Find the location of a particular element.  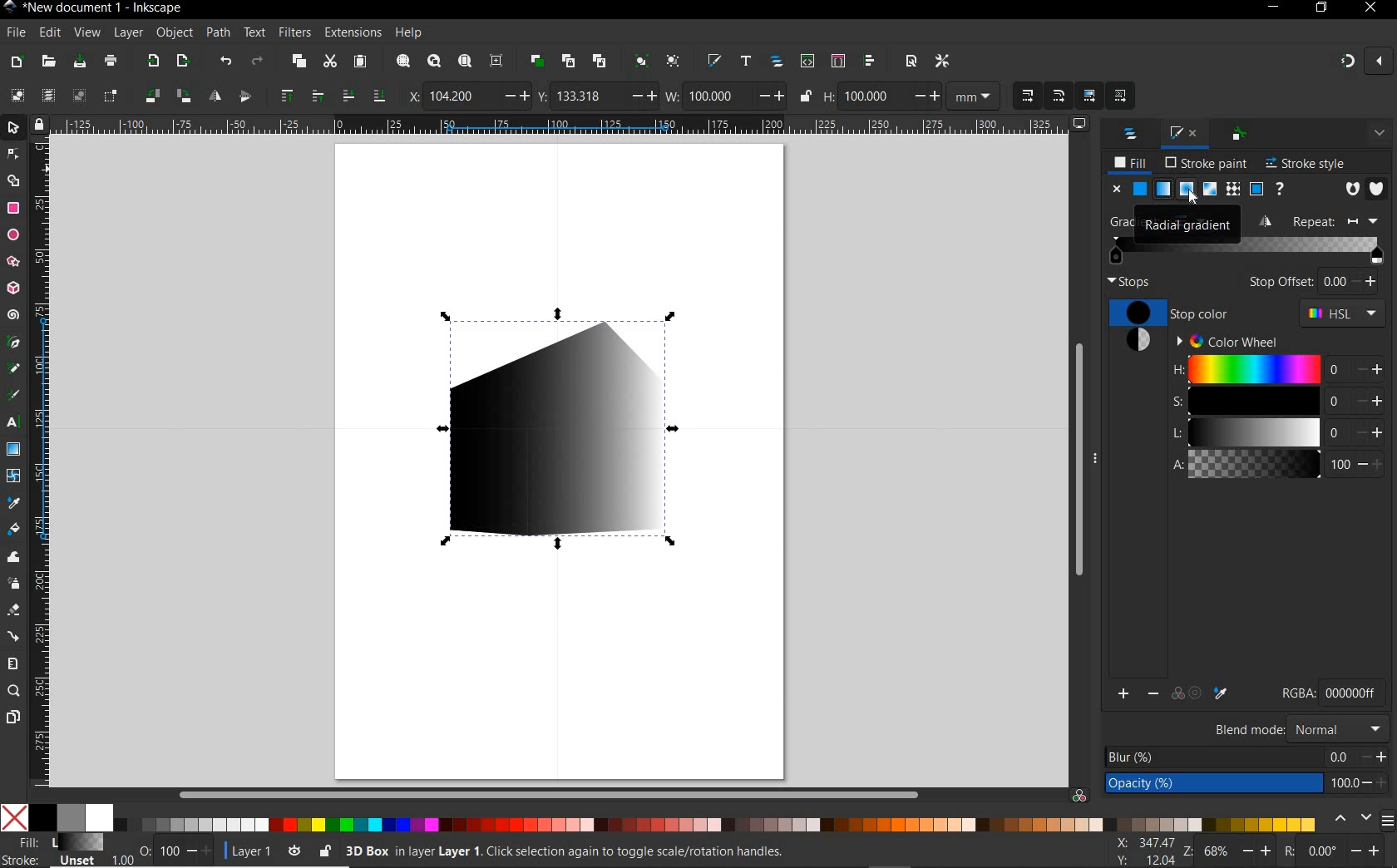

STROKE PAINT is located at coordinates (1203, 163).